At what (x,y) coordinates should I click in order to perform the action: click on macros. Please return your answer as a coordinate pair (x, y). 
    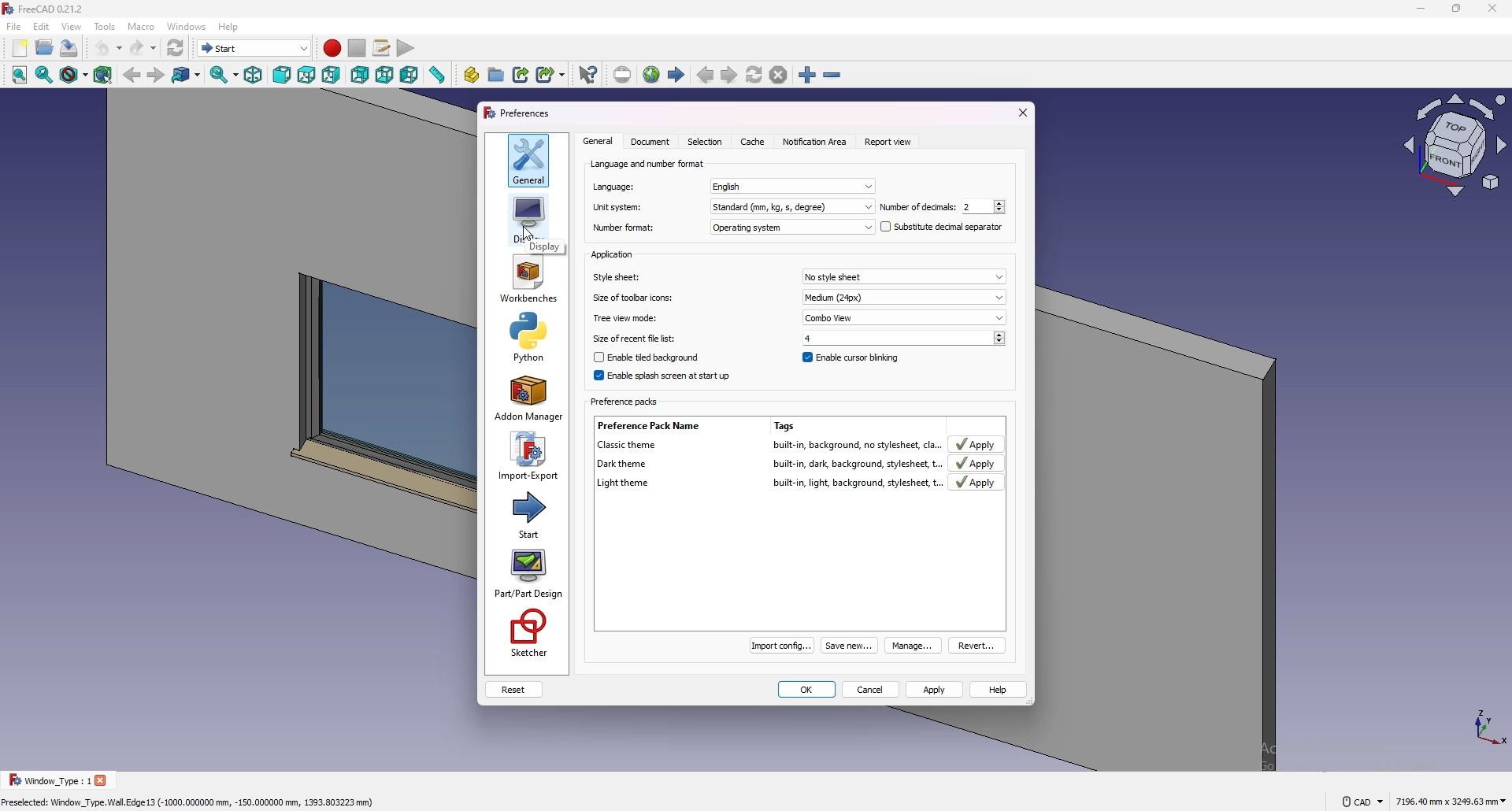
    Looking at the image, I should click on (383, 48).